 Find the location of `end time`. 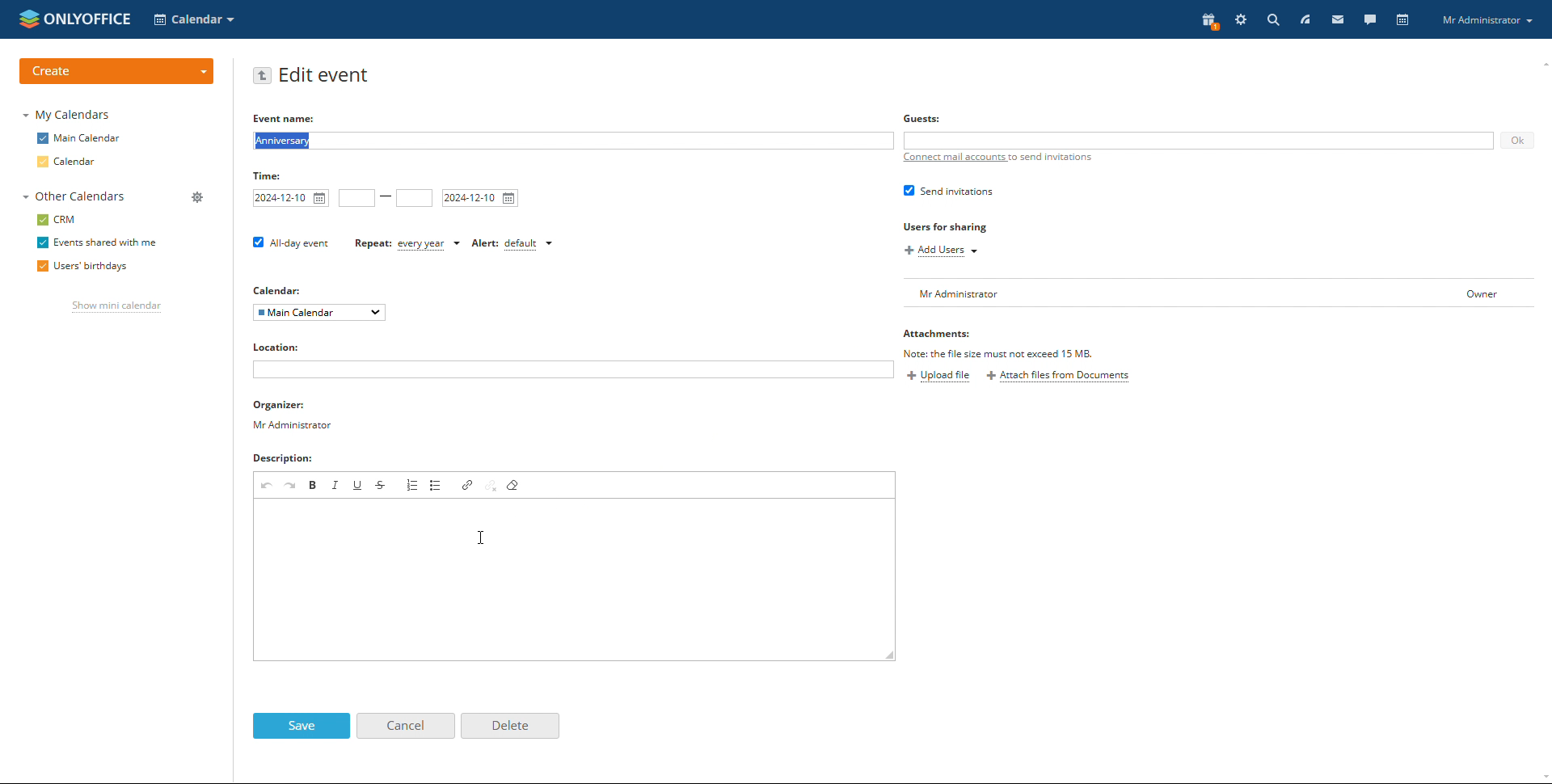

end time is located at coordinates (415, 198).